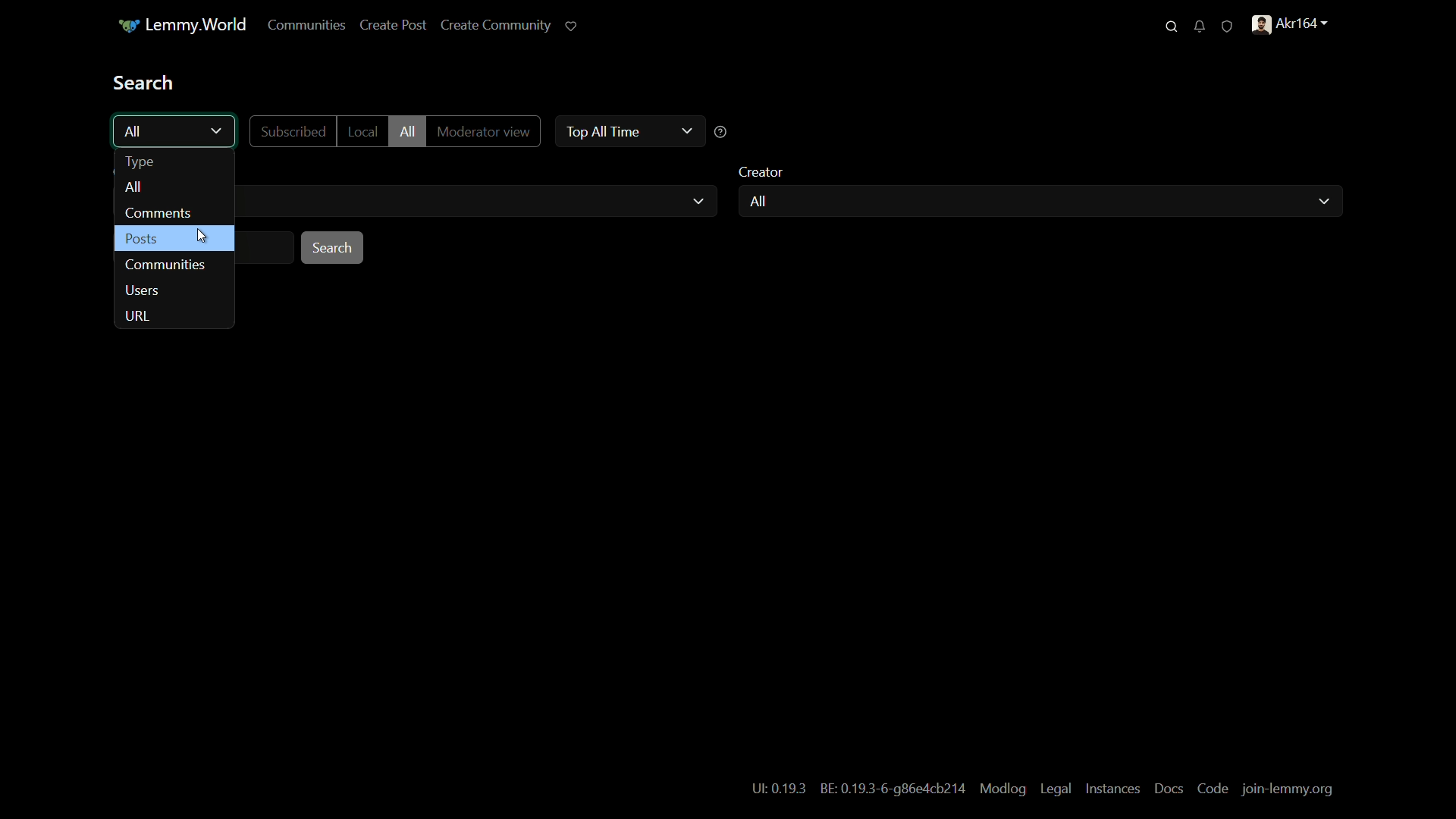 Image resolution: width=1456 pixels, height=819 pixels. What do you see at coordinates (1199, 26) in the screenshot?
I see `unread notifications` at bounding box center [1199, 26].